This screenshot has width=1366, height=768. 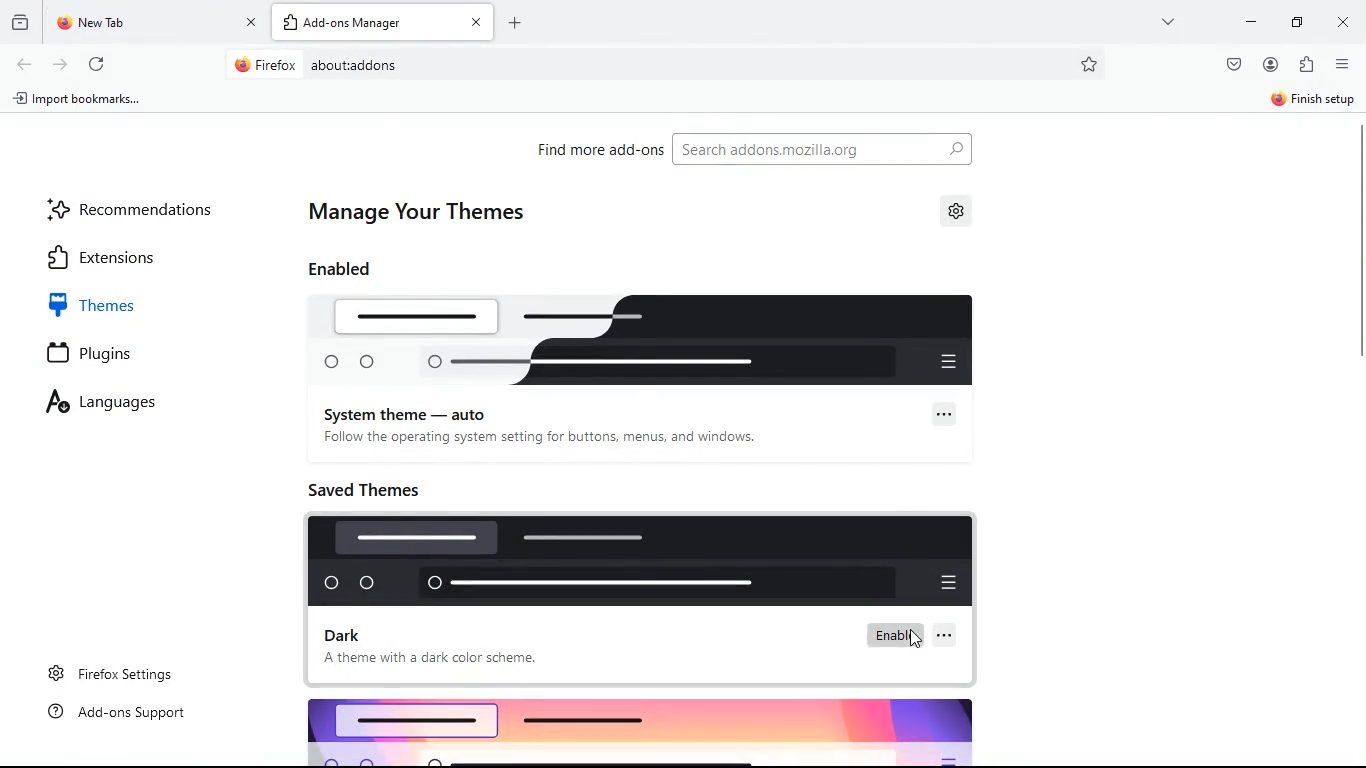 What do you see at coordinates (1251, 21) in the screenshot?
I see `minimize` at bounding box center [1251, 21].